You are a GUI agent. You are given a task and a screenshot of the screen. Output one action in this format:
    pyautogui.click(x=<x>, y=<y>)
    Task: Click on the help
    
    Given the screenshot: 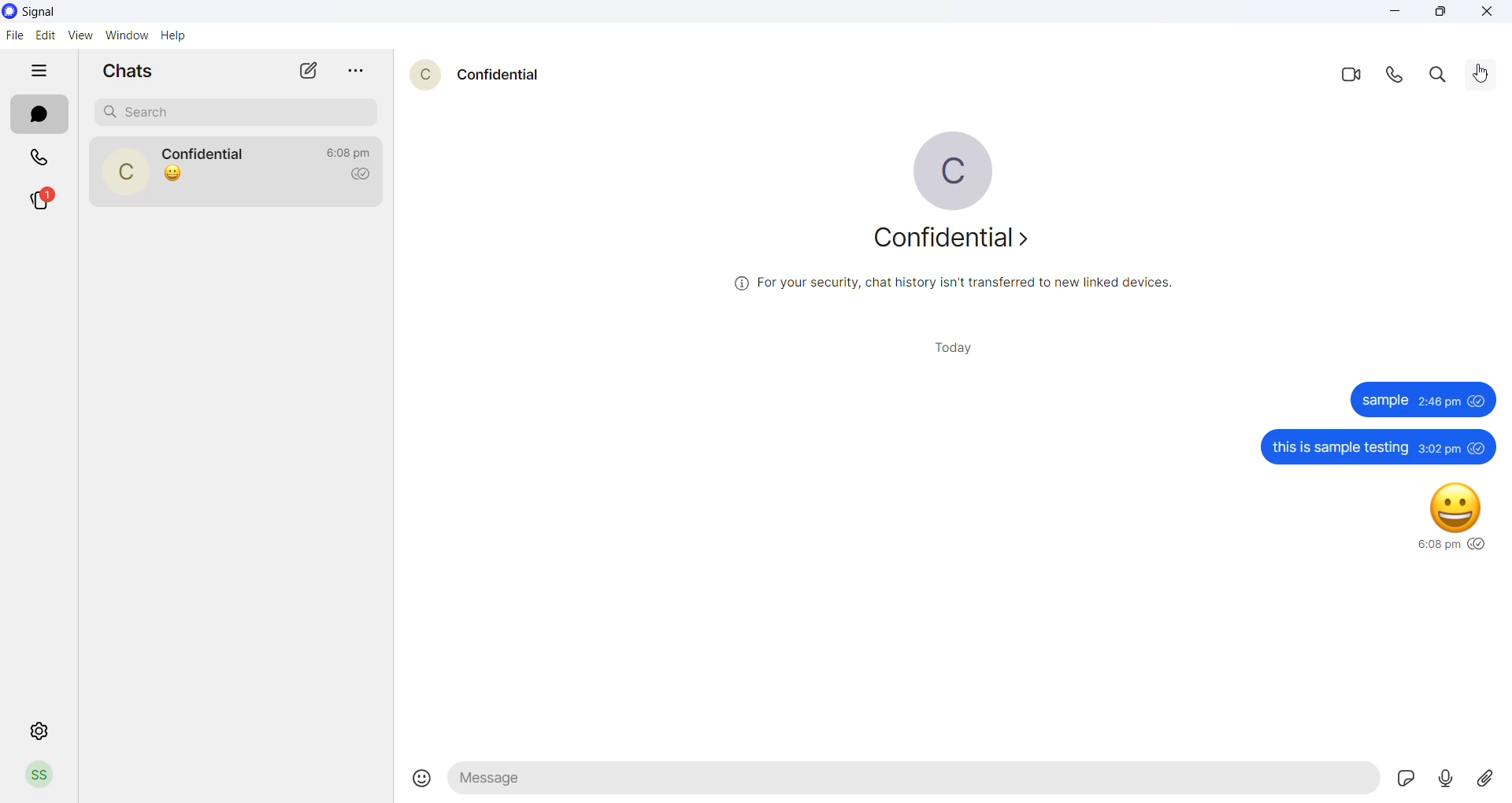 What is the action you would take?
    pyautogui.click(x=172, y=36)
    